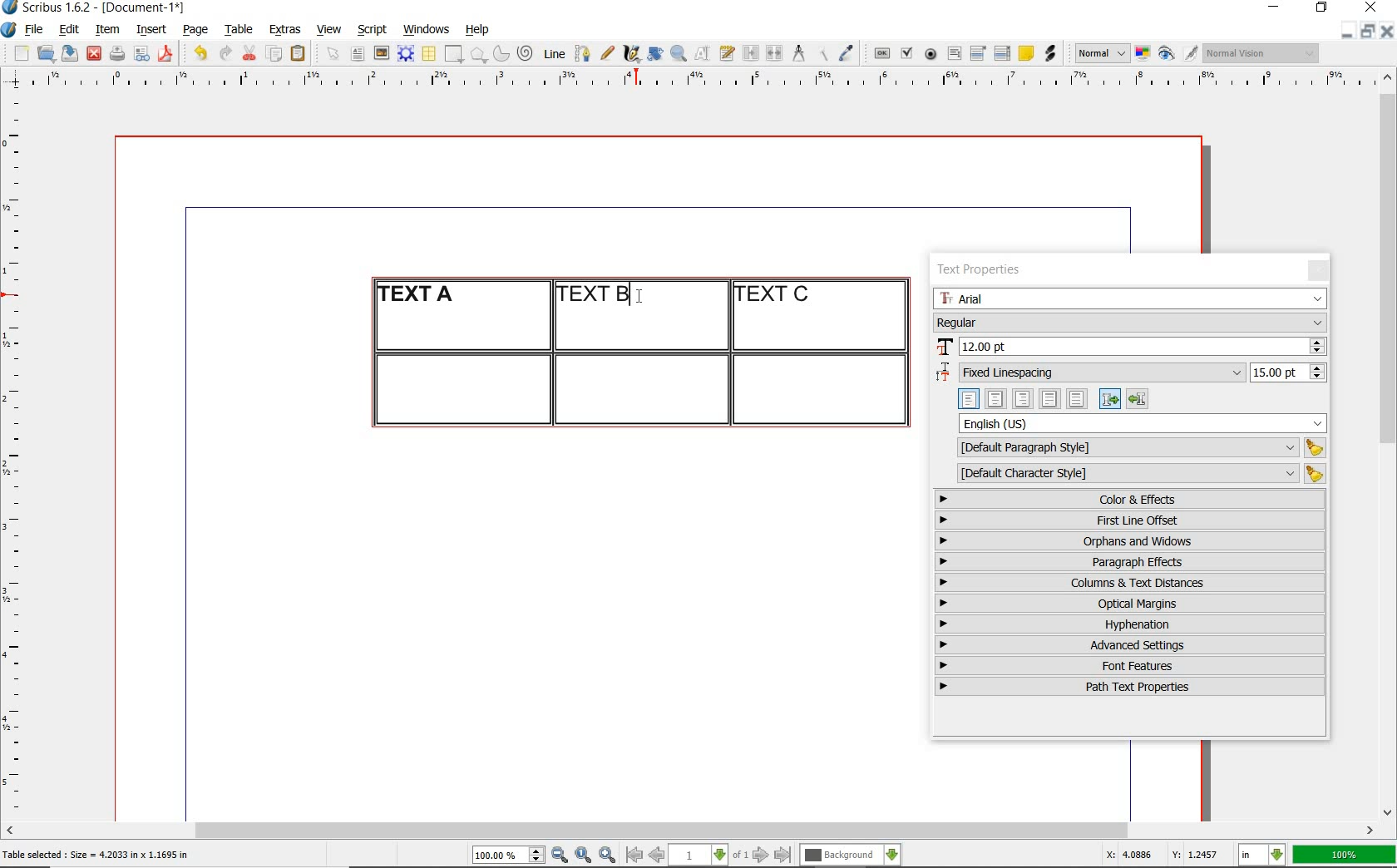  I want to click on table, so click(430, 54).